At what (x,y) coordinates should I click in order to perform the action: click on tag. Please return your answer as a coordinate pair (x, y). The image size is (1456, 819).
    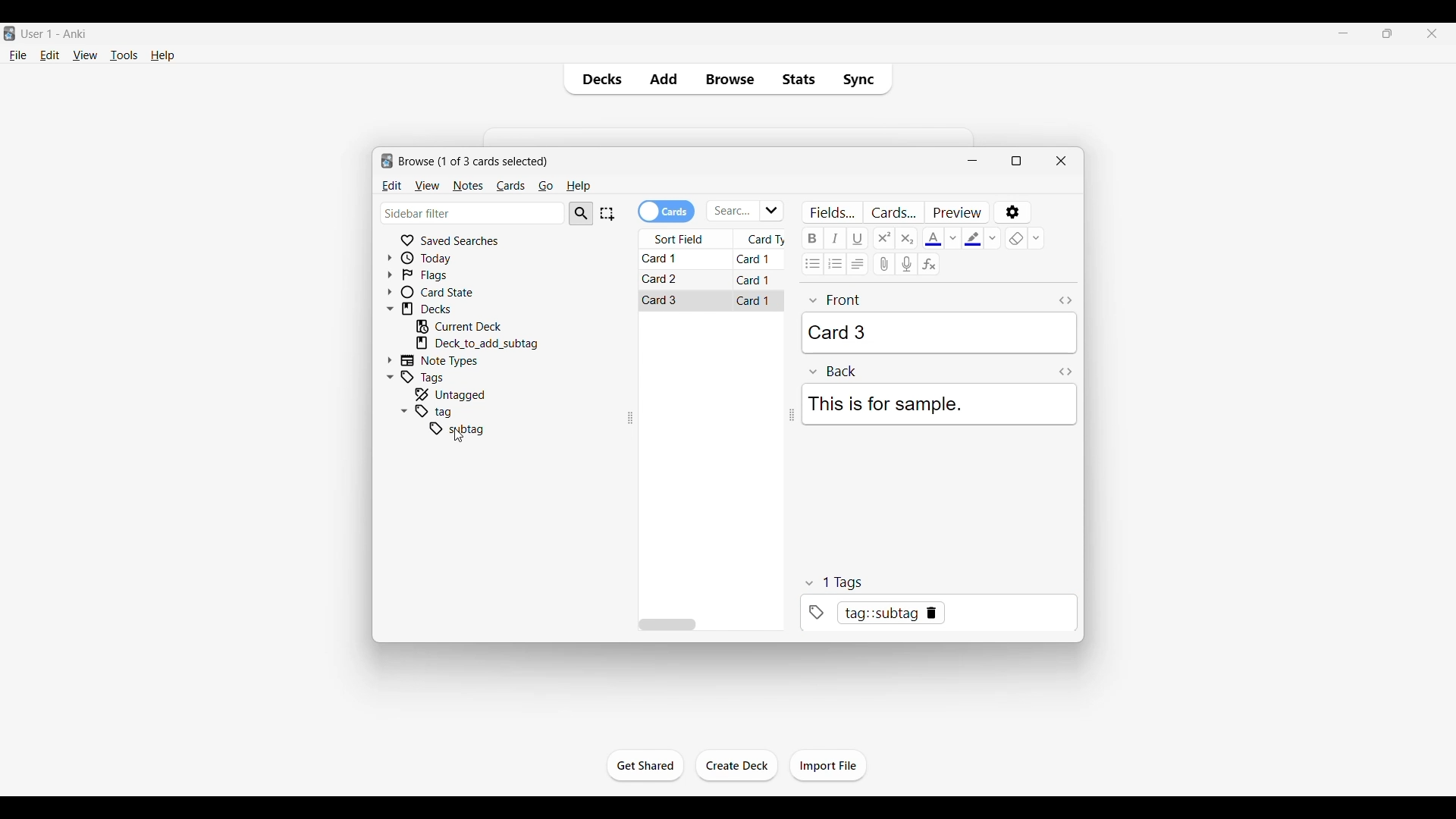
    Looking at the image, I should click on (431, 412).